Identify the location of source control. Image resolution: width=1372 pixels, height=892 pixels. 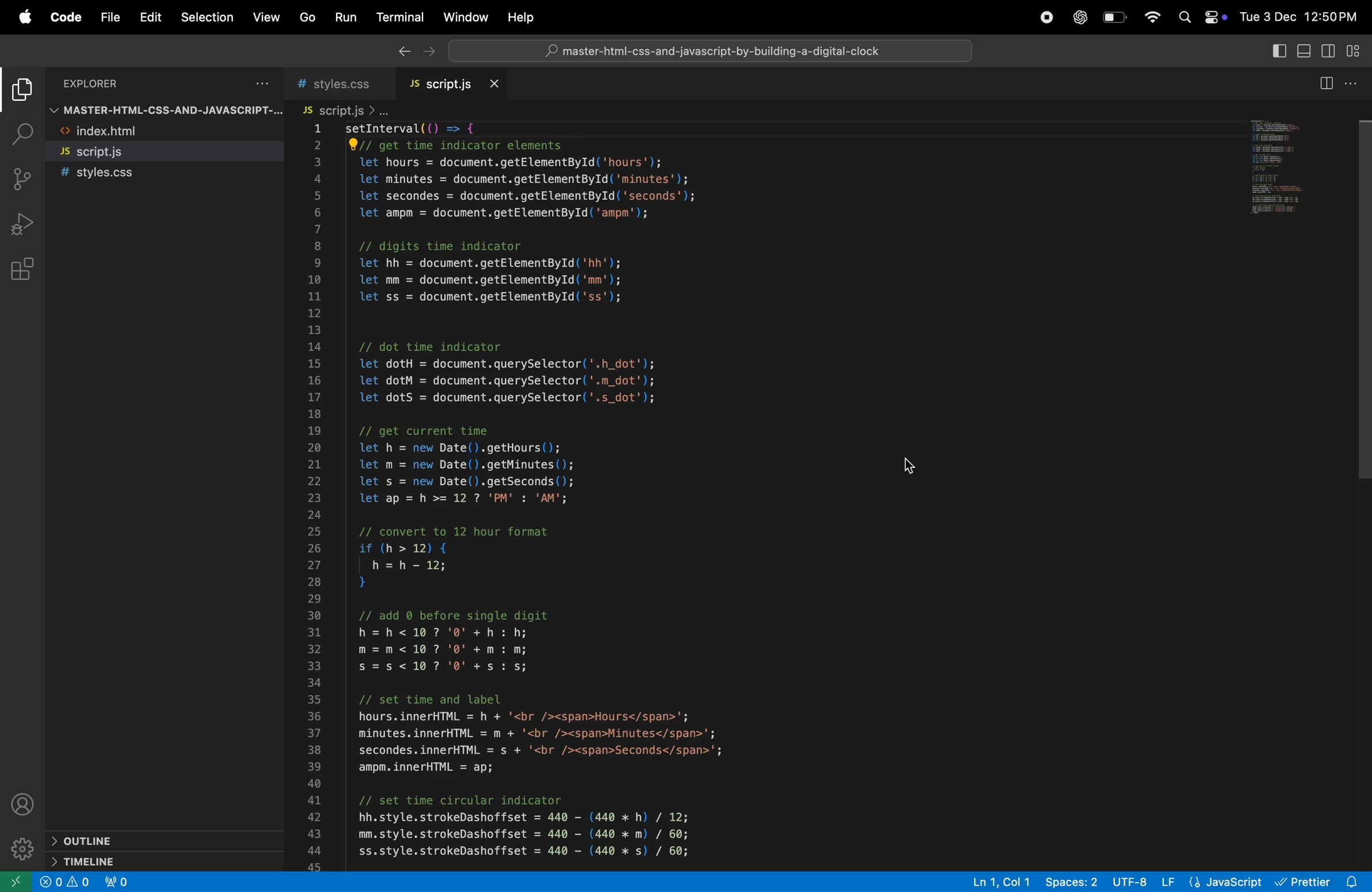
(24, 181).